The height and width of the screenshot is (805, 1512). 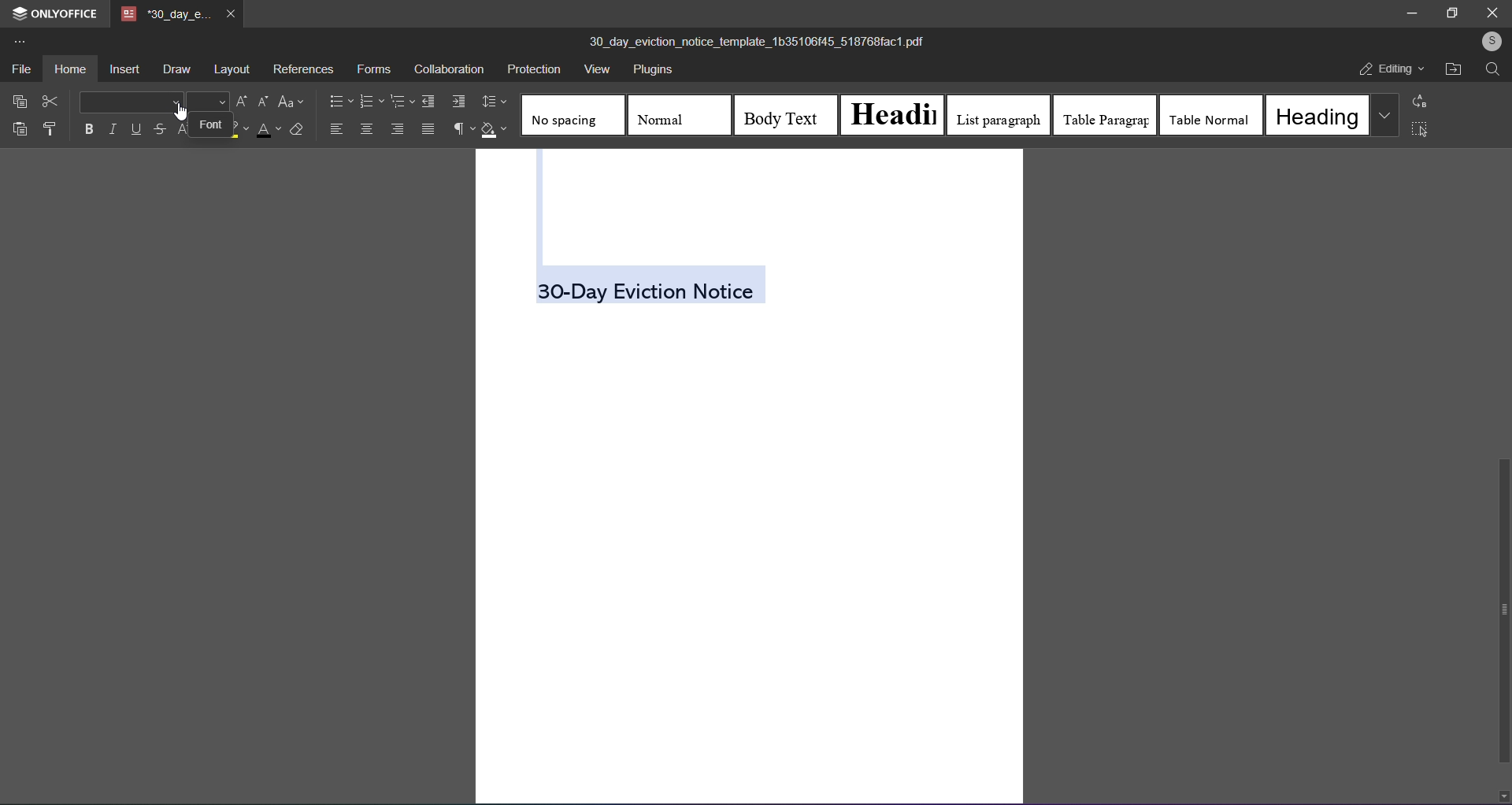 I want to click on font style, so click(x=130, y=101).